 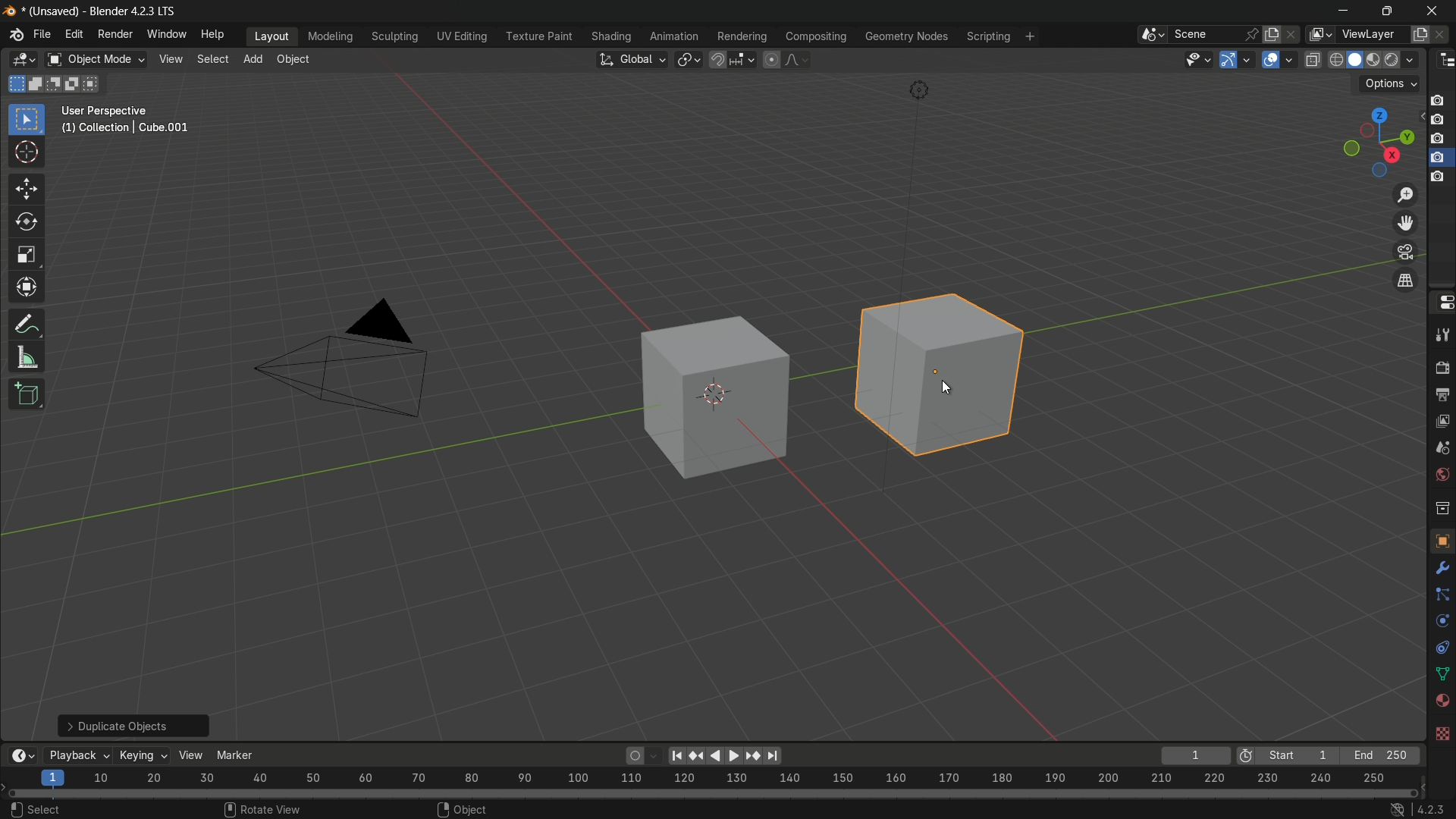 I want to click on animation menu, so click(x=673, y=34).